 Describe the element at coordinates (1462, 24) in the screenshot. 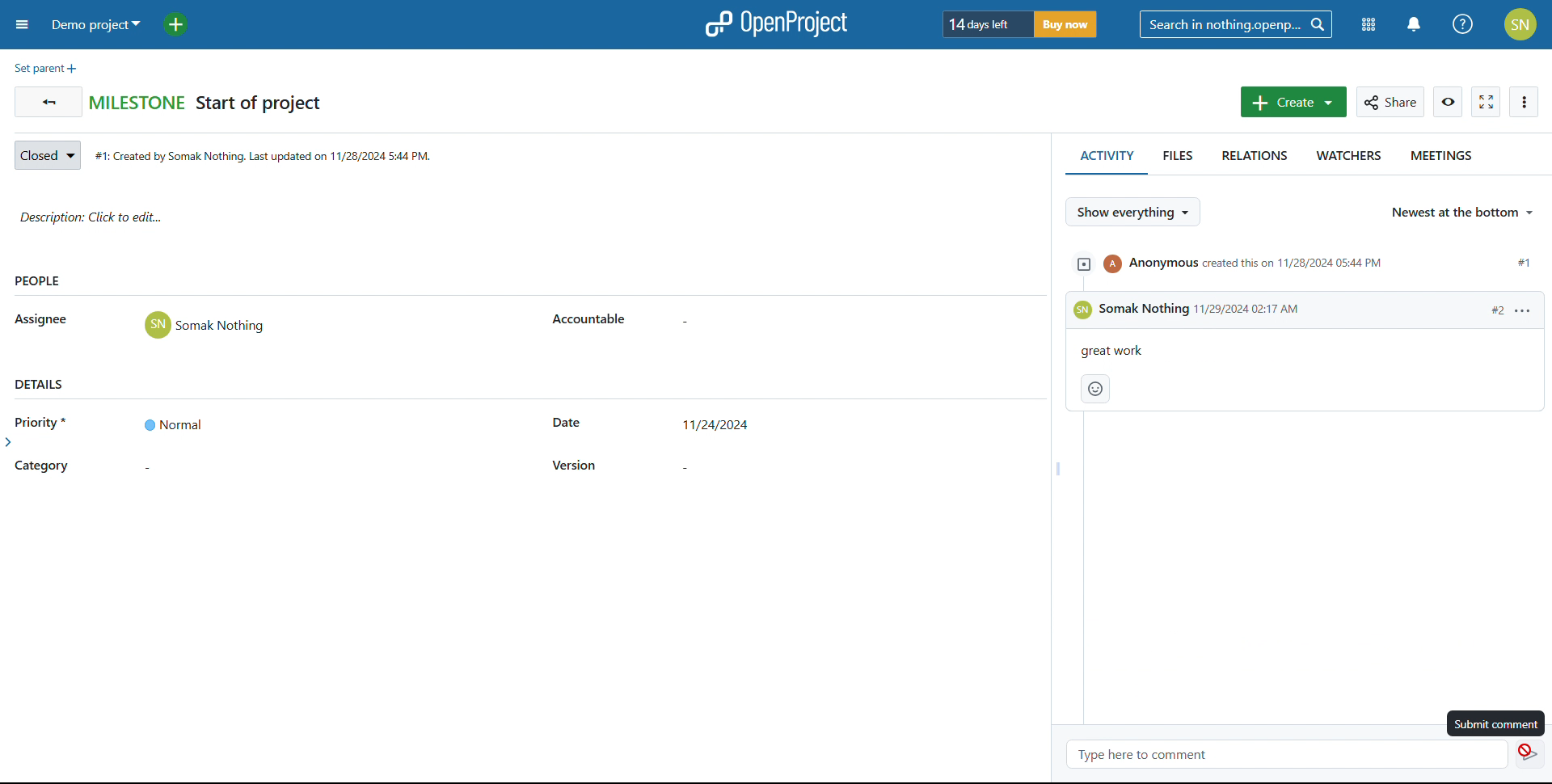

I see `help` at that location.